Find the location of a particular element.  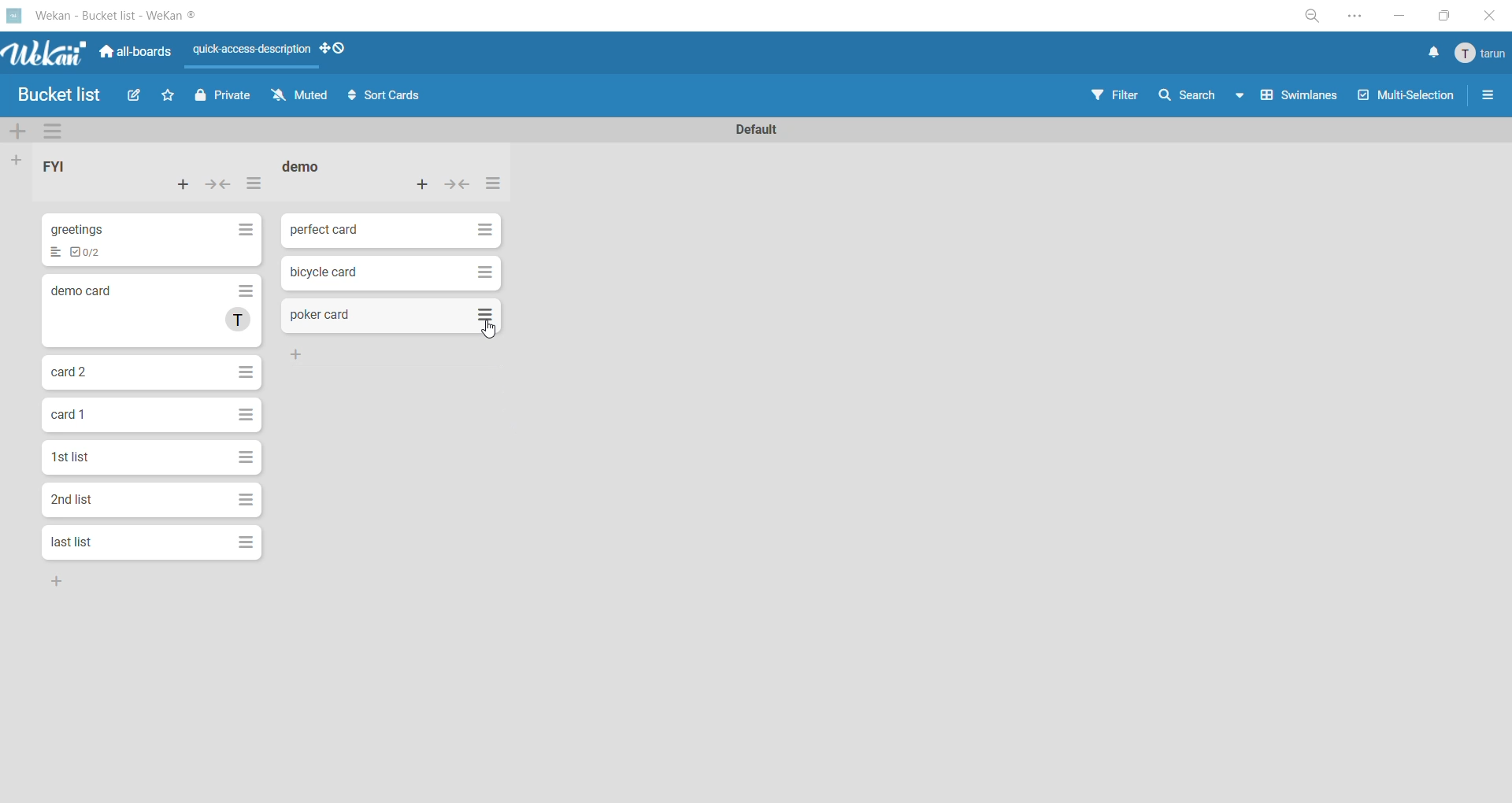

filter is located at coordinates (1119, 94).